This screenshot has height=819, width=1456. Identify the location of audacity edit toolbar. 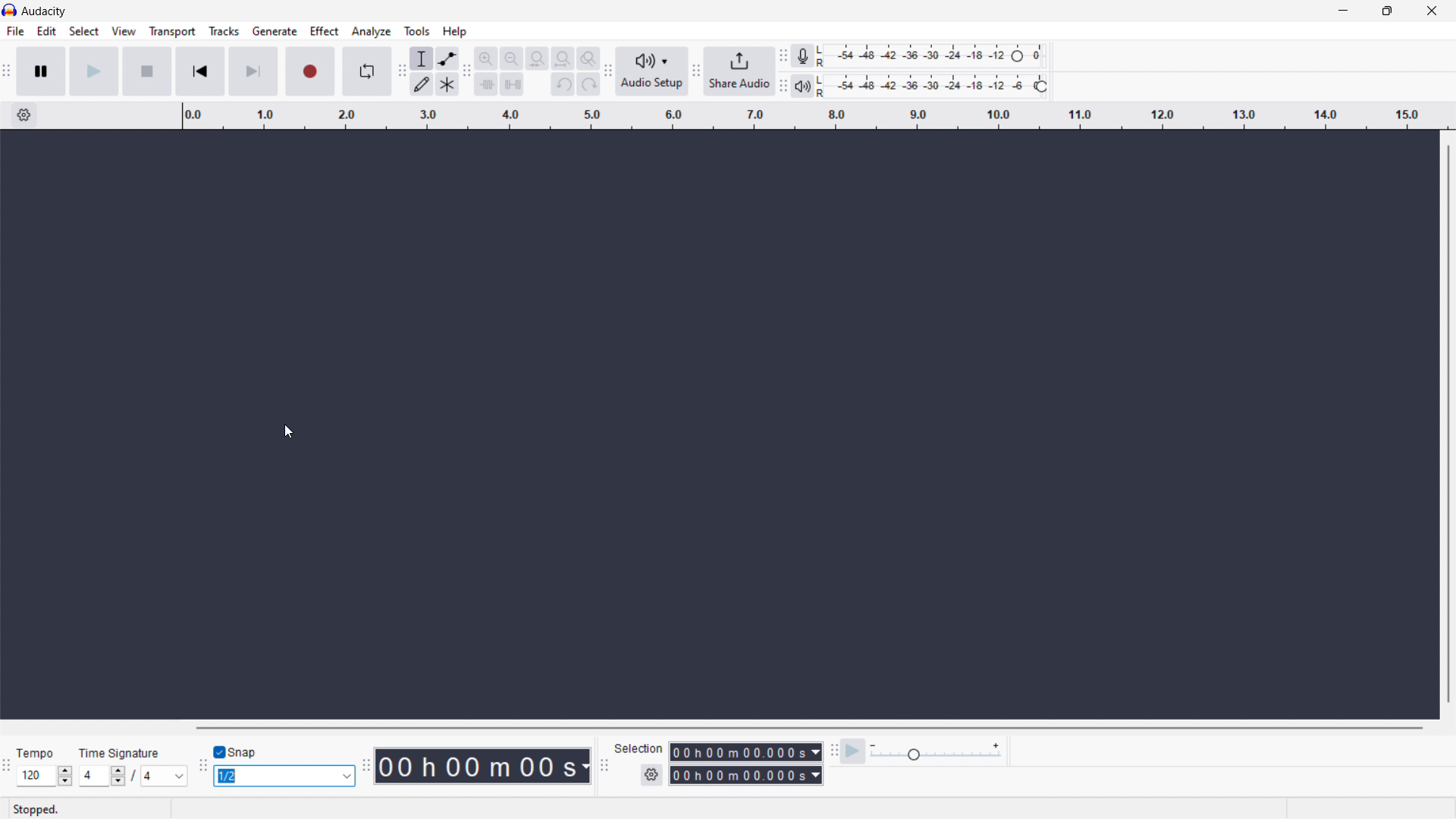
(468, 72).